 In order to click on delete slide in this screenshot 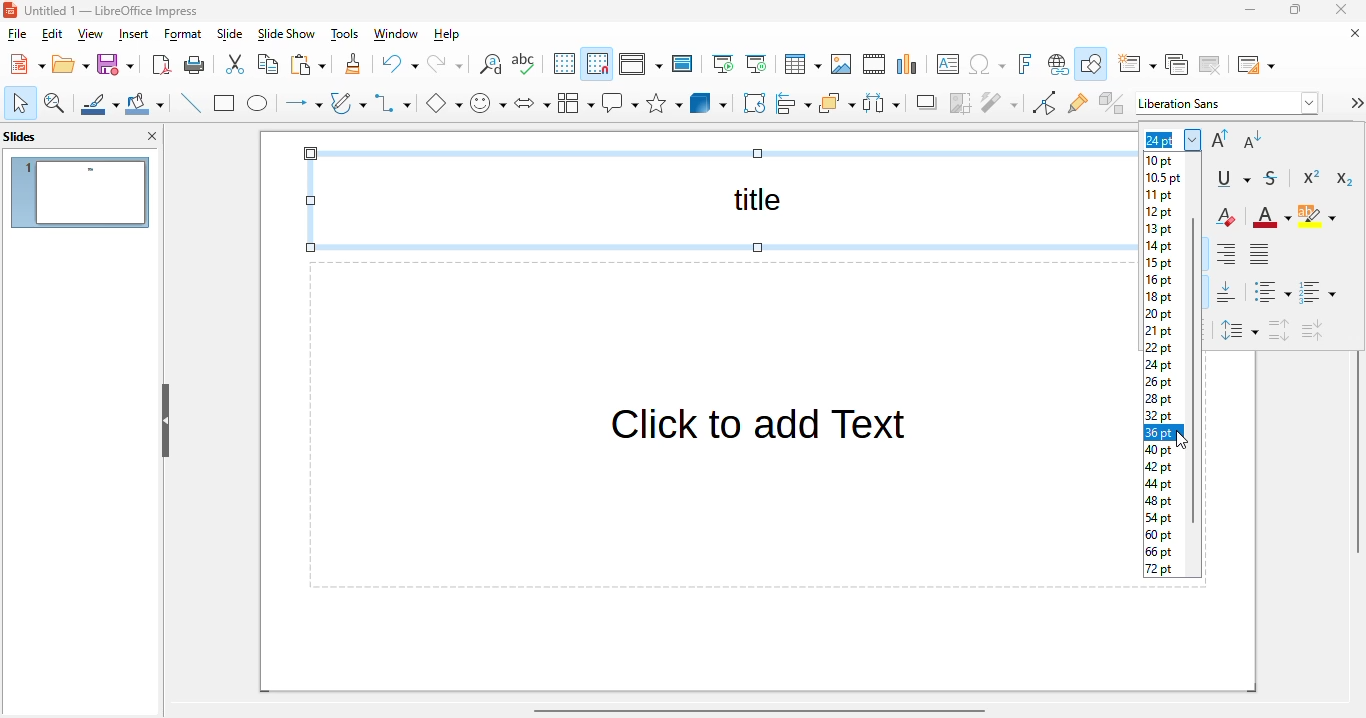, I will do `click(1210, 65)`.